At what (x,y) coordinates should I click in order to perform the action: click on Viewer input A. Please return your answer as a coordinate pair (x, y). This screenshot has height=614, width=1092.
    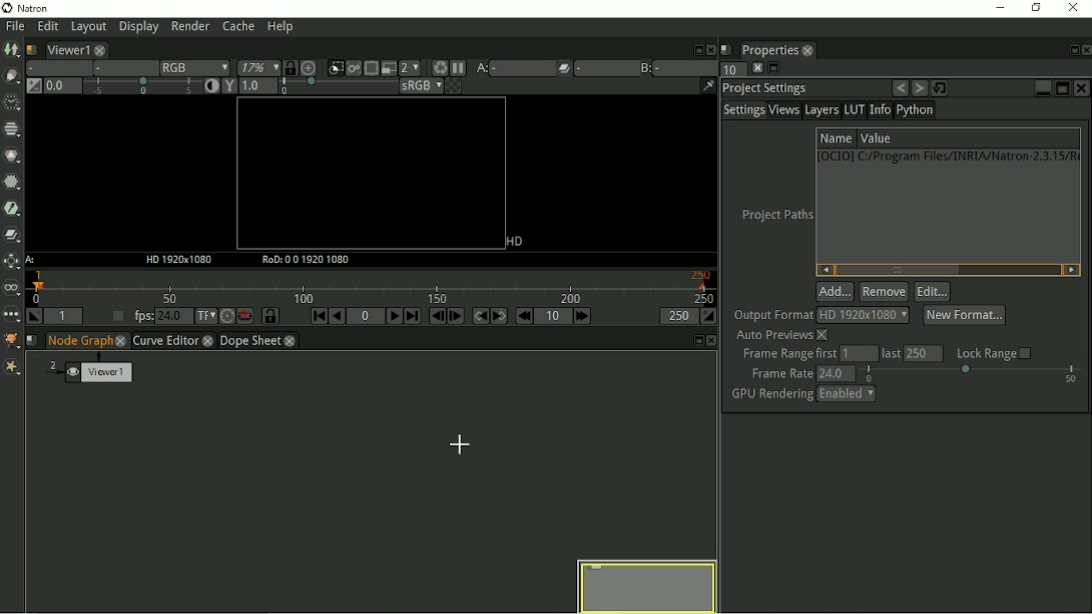
    Looking at the image, I should click on (500, 68).